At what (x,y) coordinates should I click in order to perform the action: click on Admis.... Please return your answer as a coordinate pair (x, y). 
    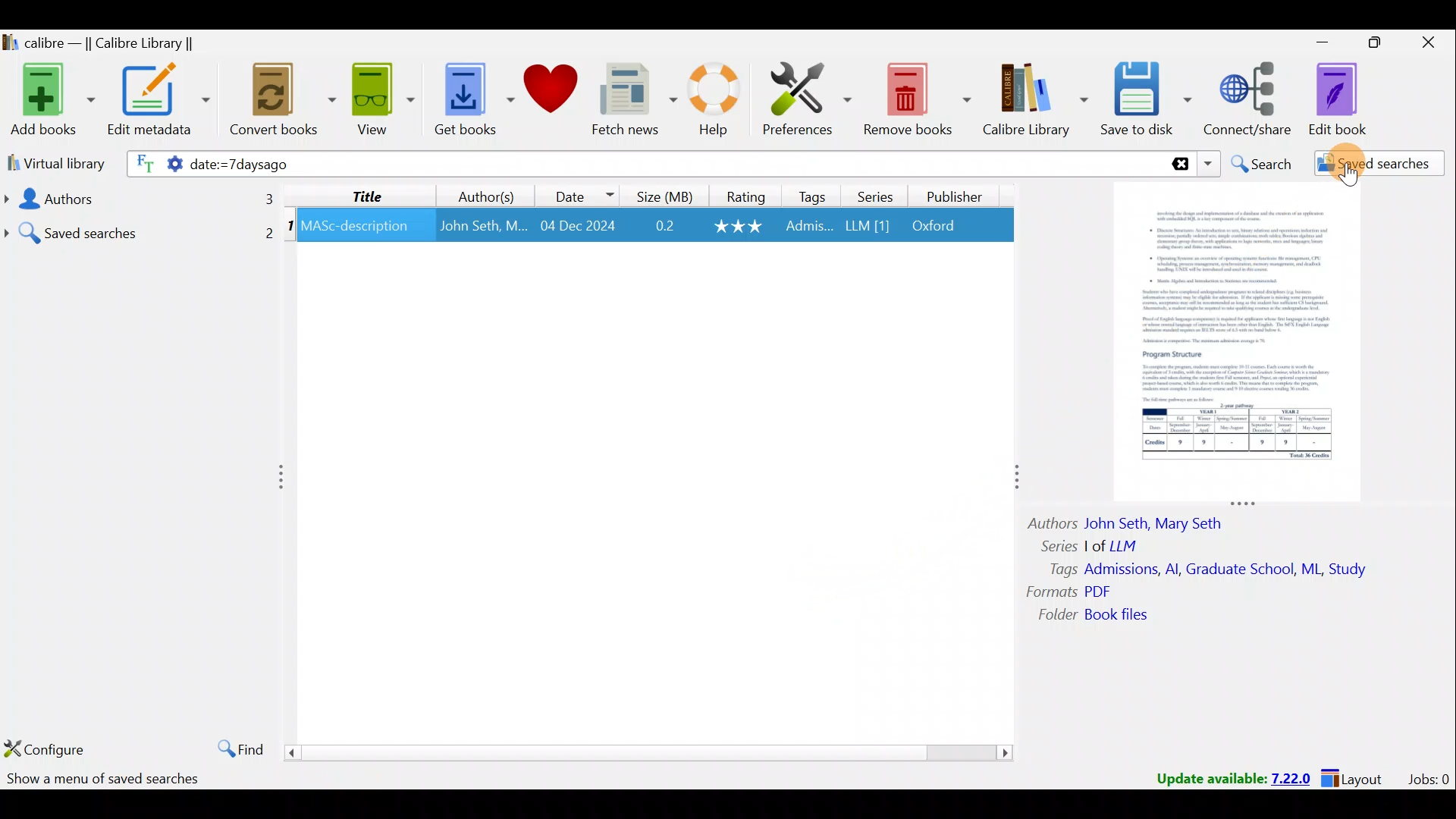
    Looking at the image, I should click on (809, 227).